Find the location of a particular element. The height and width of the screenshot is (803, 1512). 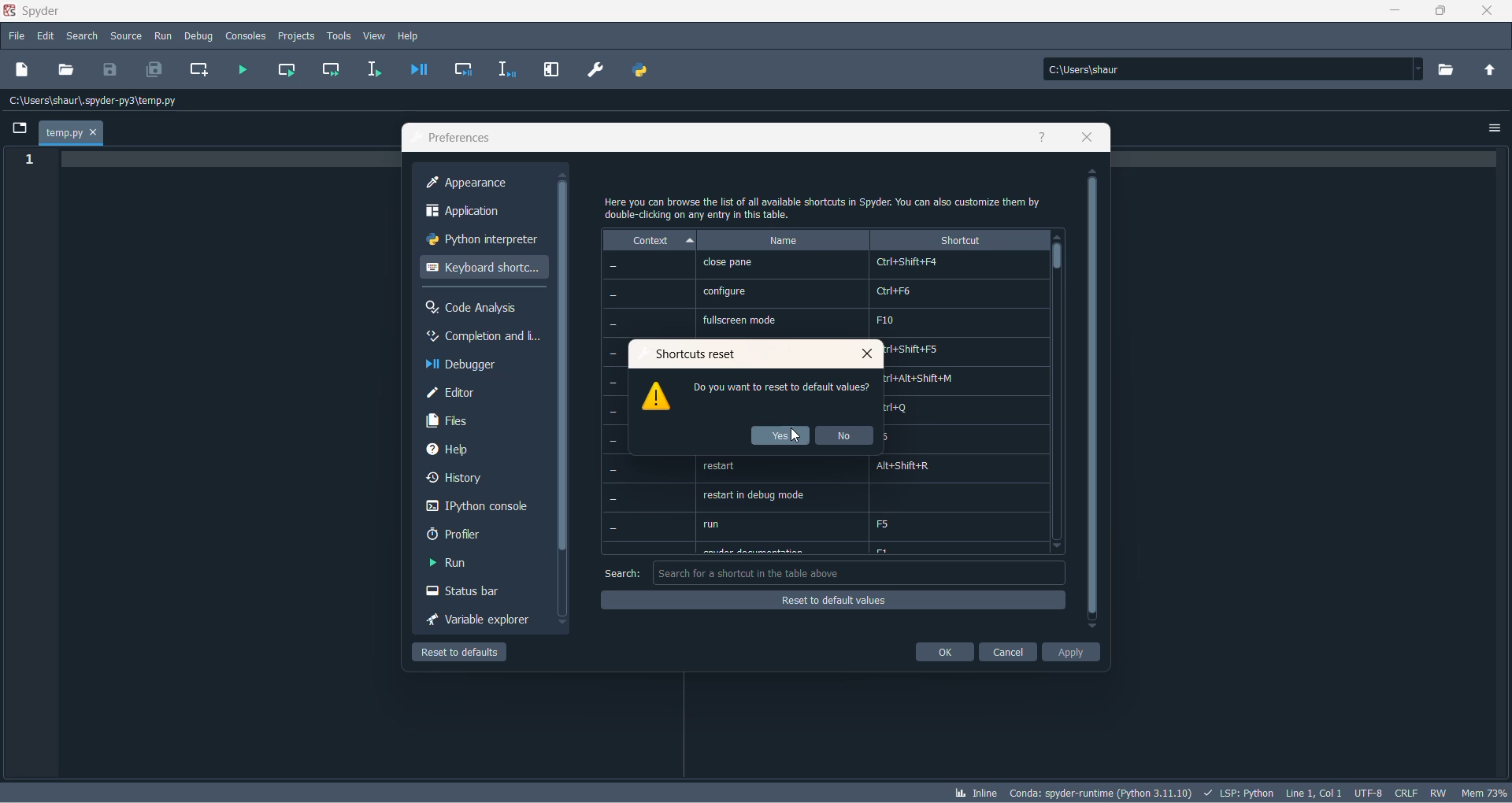

tools is located at coordinates (339, 35).